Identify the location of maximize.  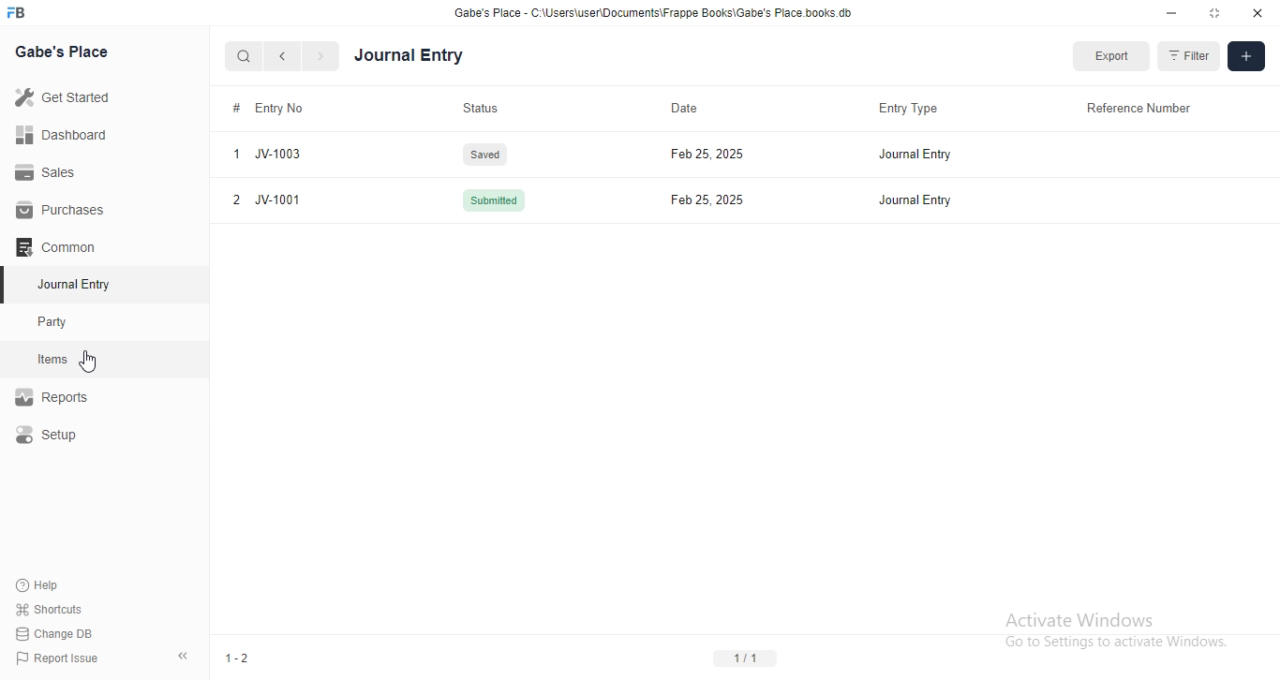
(1217, 14).